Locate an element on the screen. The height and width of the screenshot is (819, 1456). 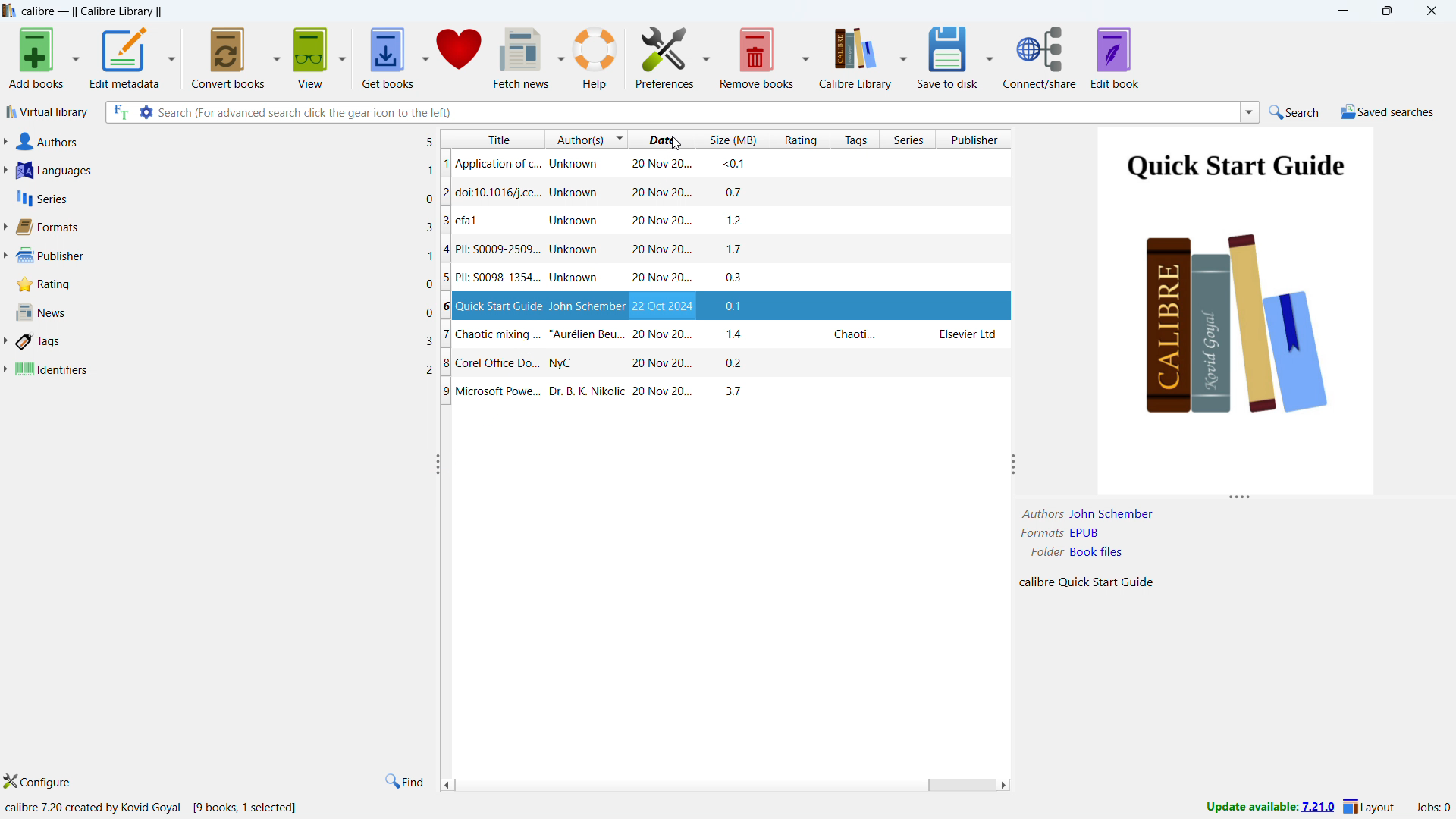
authors is located at coordinates (227, 141).